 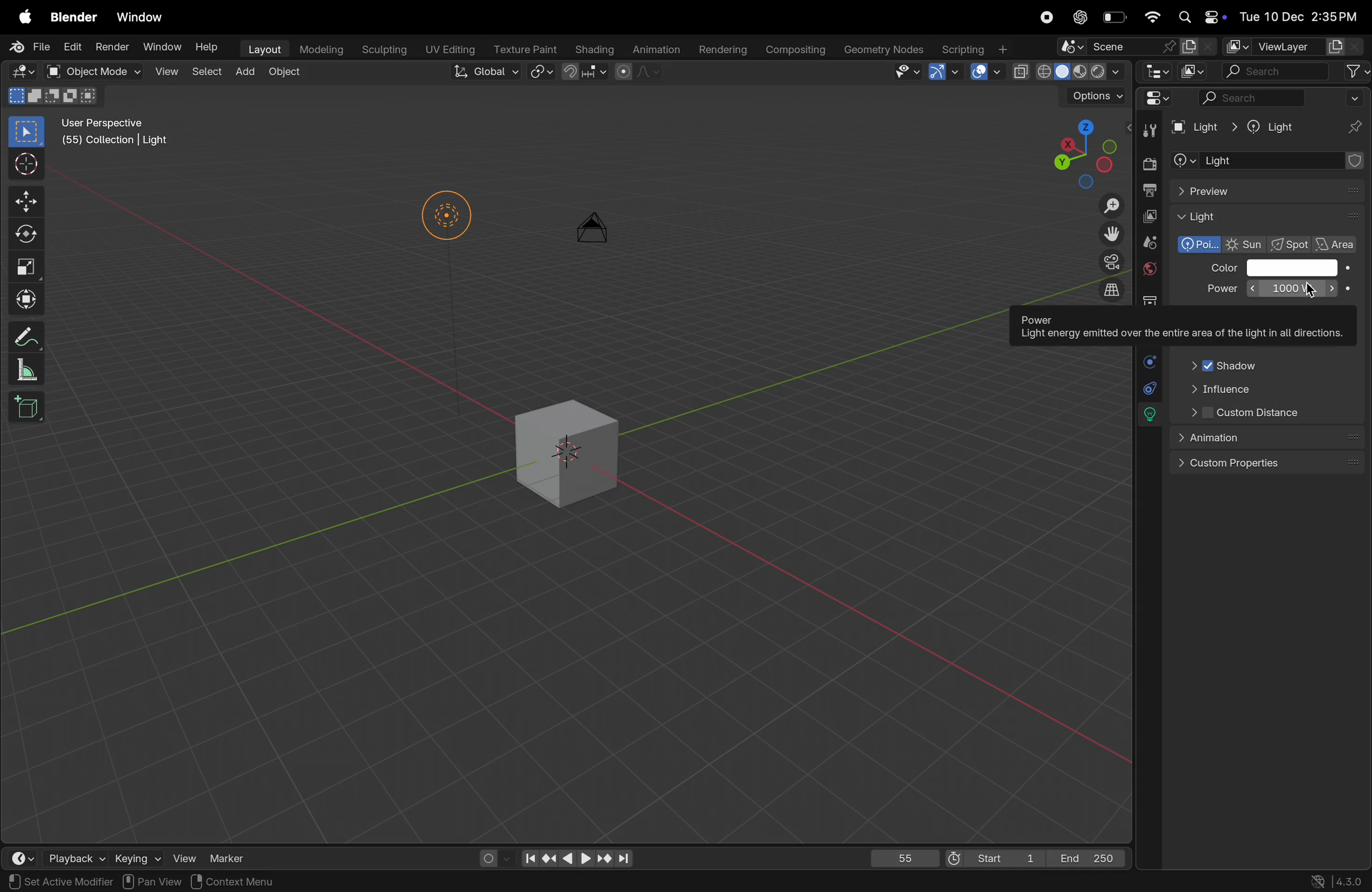 What do you see at coordinates (585, 72) in the screenshot?
I see `snapping` at bounding box center [585, 72].